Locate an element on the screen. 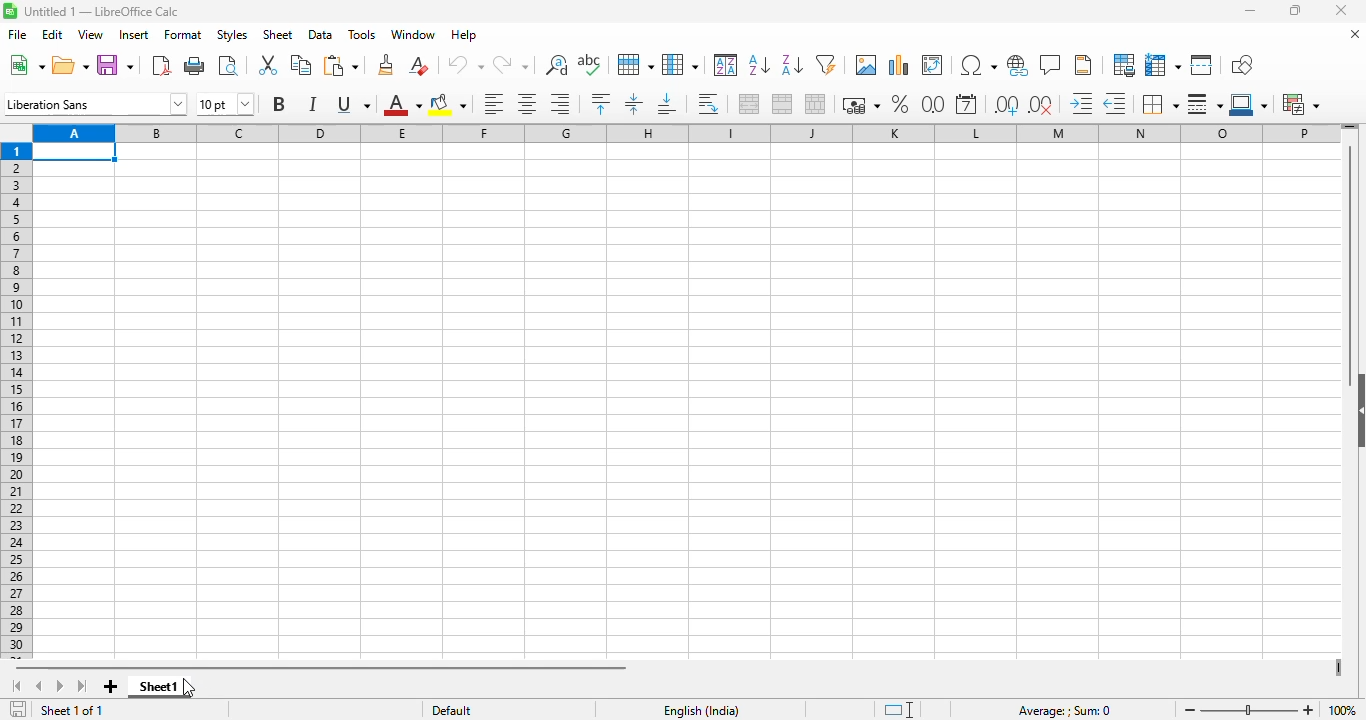  merge and center or unmerge cells depending on the current toggle state is located at coordinates (750, 104).